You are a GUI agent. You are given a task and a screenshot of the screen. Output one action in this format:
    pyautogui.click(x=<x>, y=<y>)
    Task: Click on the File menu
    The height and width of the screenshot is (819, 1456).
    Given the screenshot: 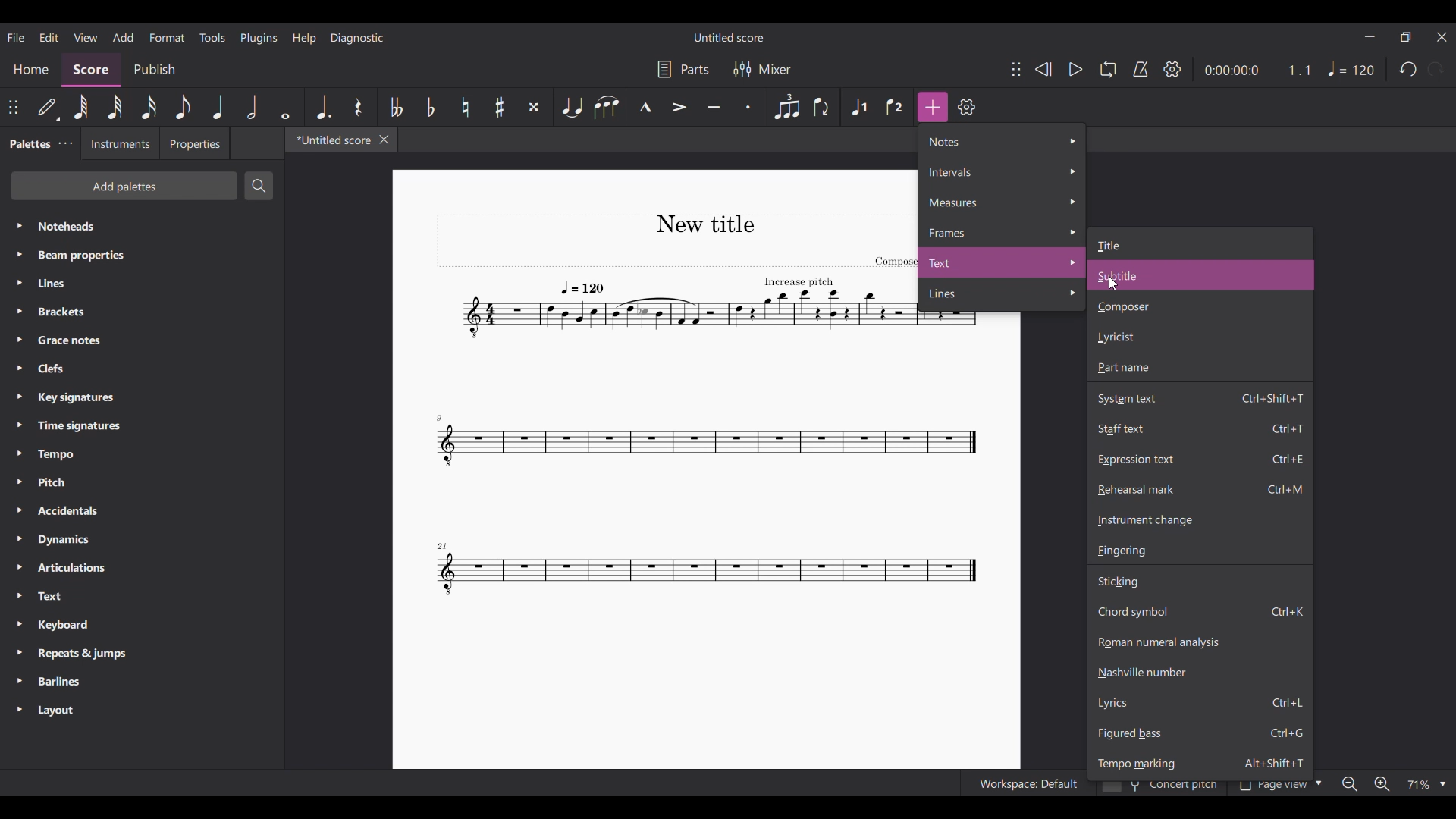 What is the action you would take?
    pyautogui.click(x=15, y=37)
    